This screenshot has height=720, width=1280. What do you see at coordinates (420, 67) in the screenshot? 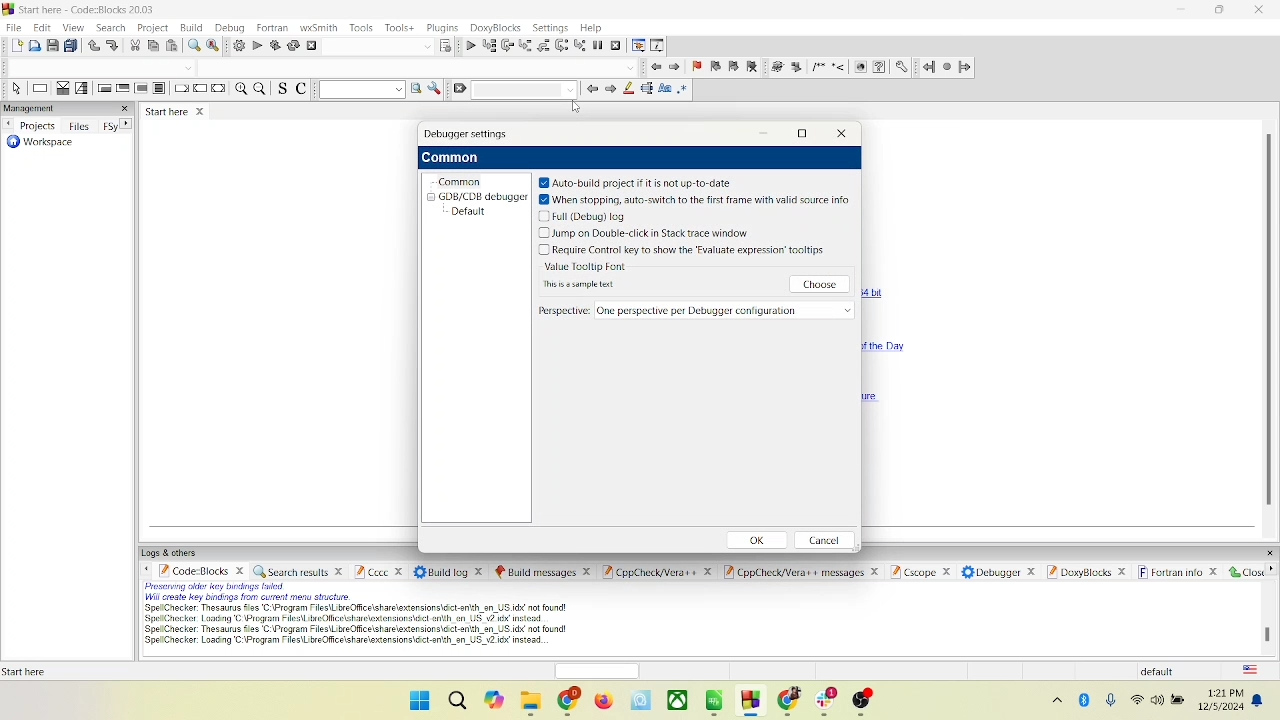
I see `blank space` at bounding box center [420, 67].